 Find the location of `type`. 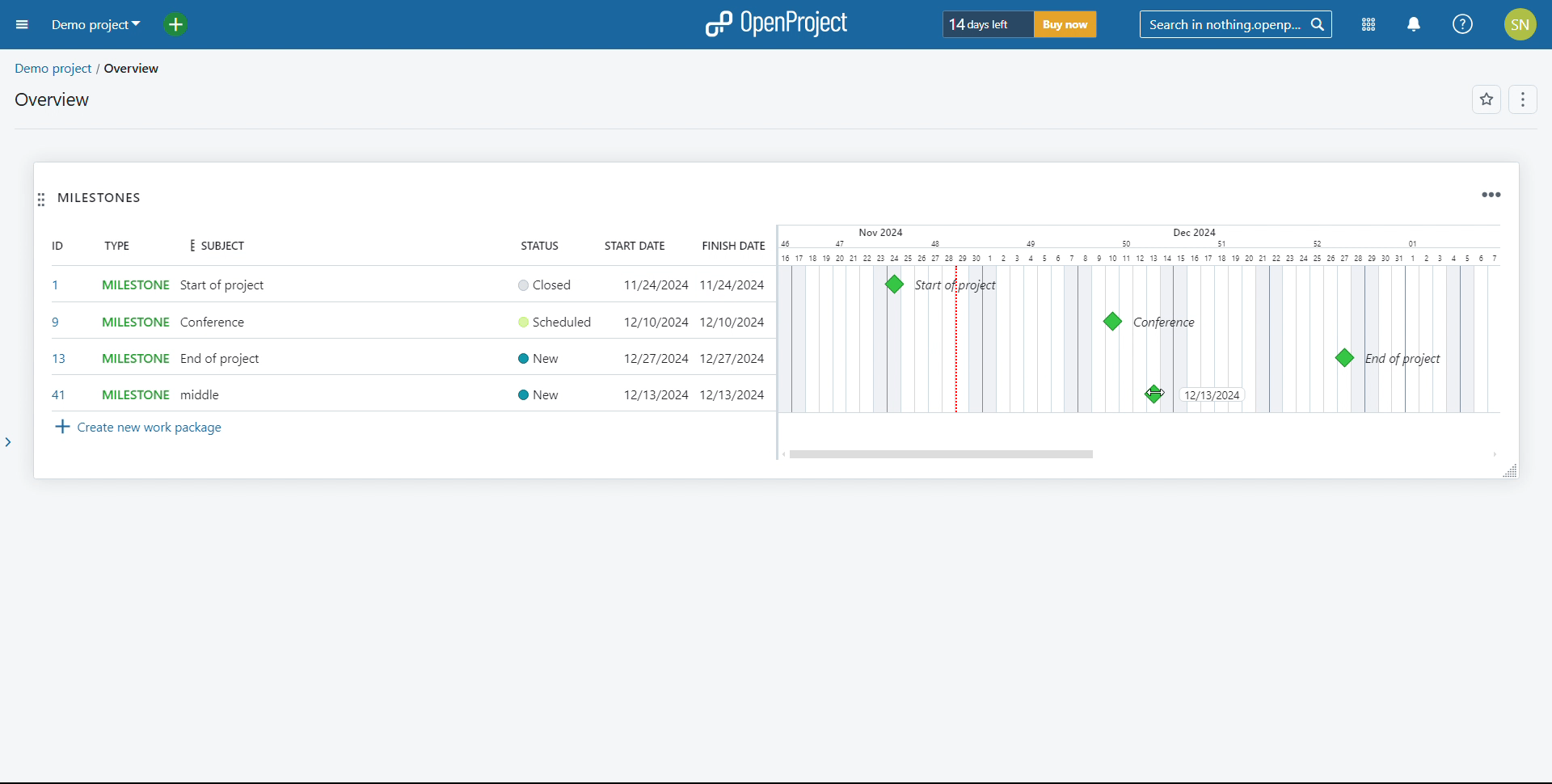

type is located at coordinates (116, 245).